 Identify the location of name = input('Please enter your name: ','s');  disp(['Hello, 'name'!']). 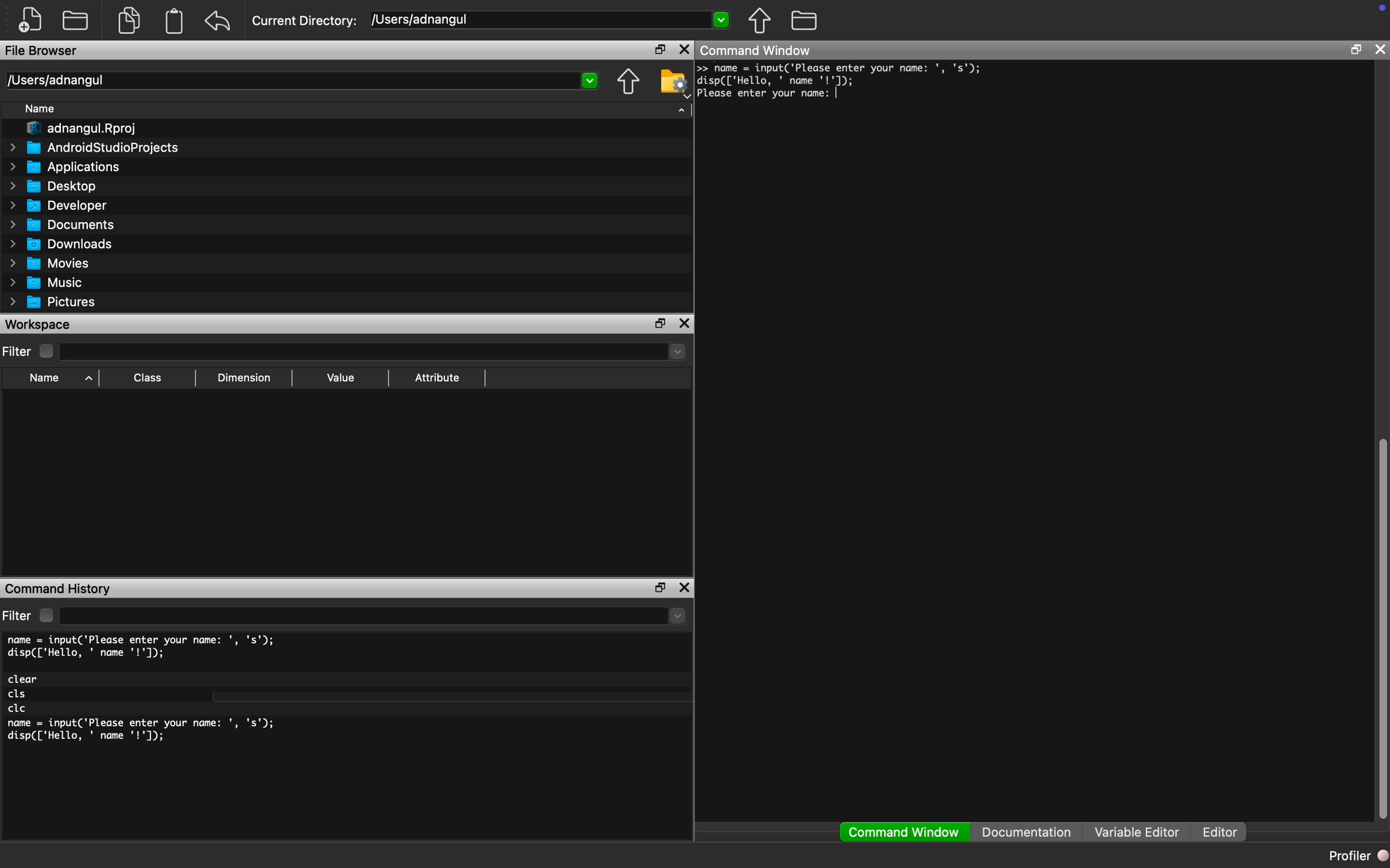
(144, 733).